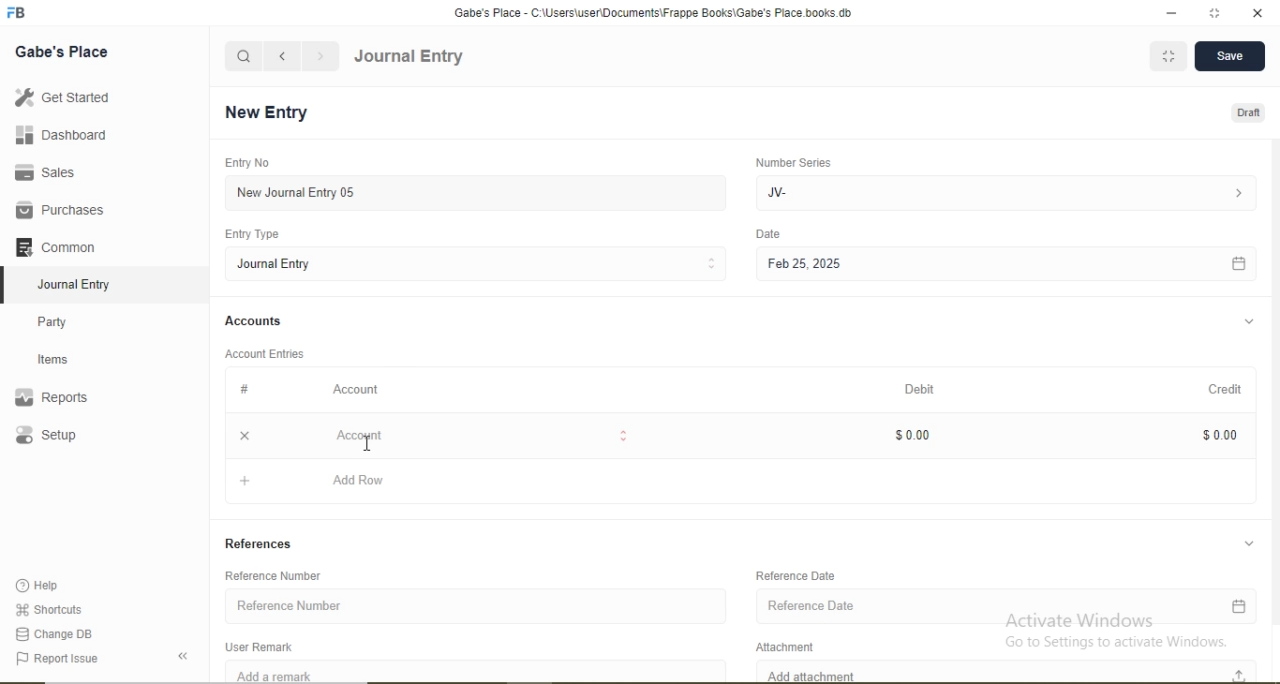  Describe the element at coordinates (263, 352) in the screenshot. I see `Account Entries` at that location.